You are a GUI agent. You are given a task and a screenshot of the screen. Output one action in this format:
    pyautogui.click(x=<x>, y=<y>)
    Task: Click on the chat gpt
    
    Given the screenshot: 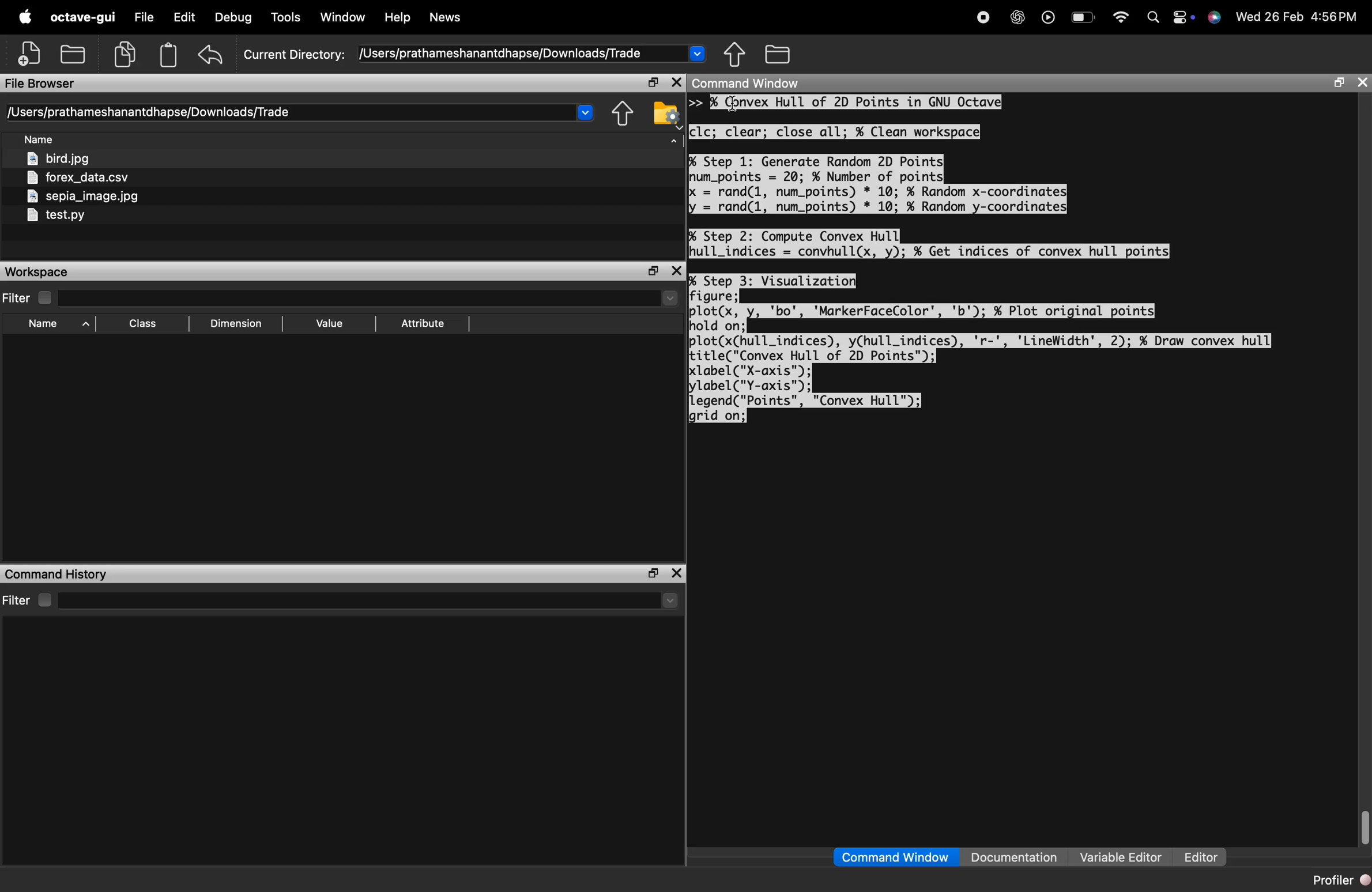 What is the action you would take?
    pyautogui.click(x=1019, y=17)
    